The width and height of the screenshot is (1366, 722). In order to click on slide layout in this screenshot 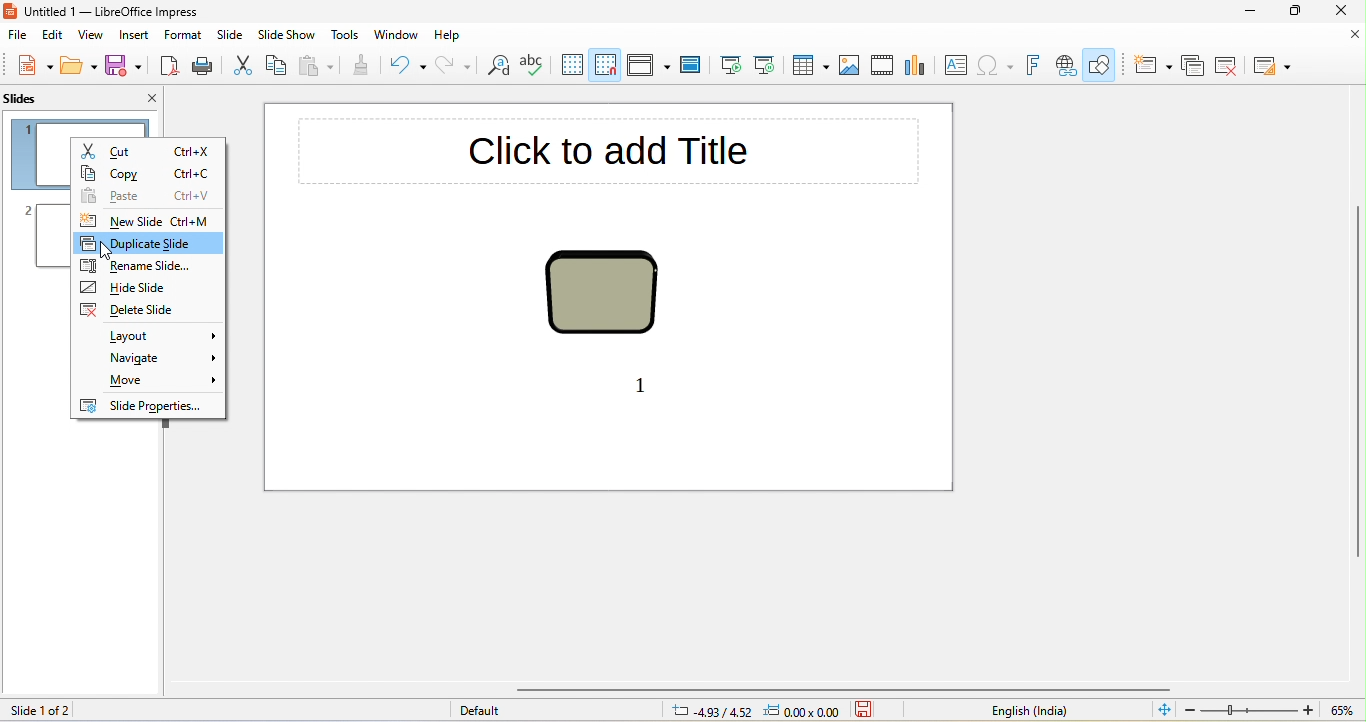, I will do `click(1274, 65)`.